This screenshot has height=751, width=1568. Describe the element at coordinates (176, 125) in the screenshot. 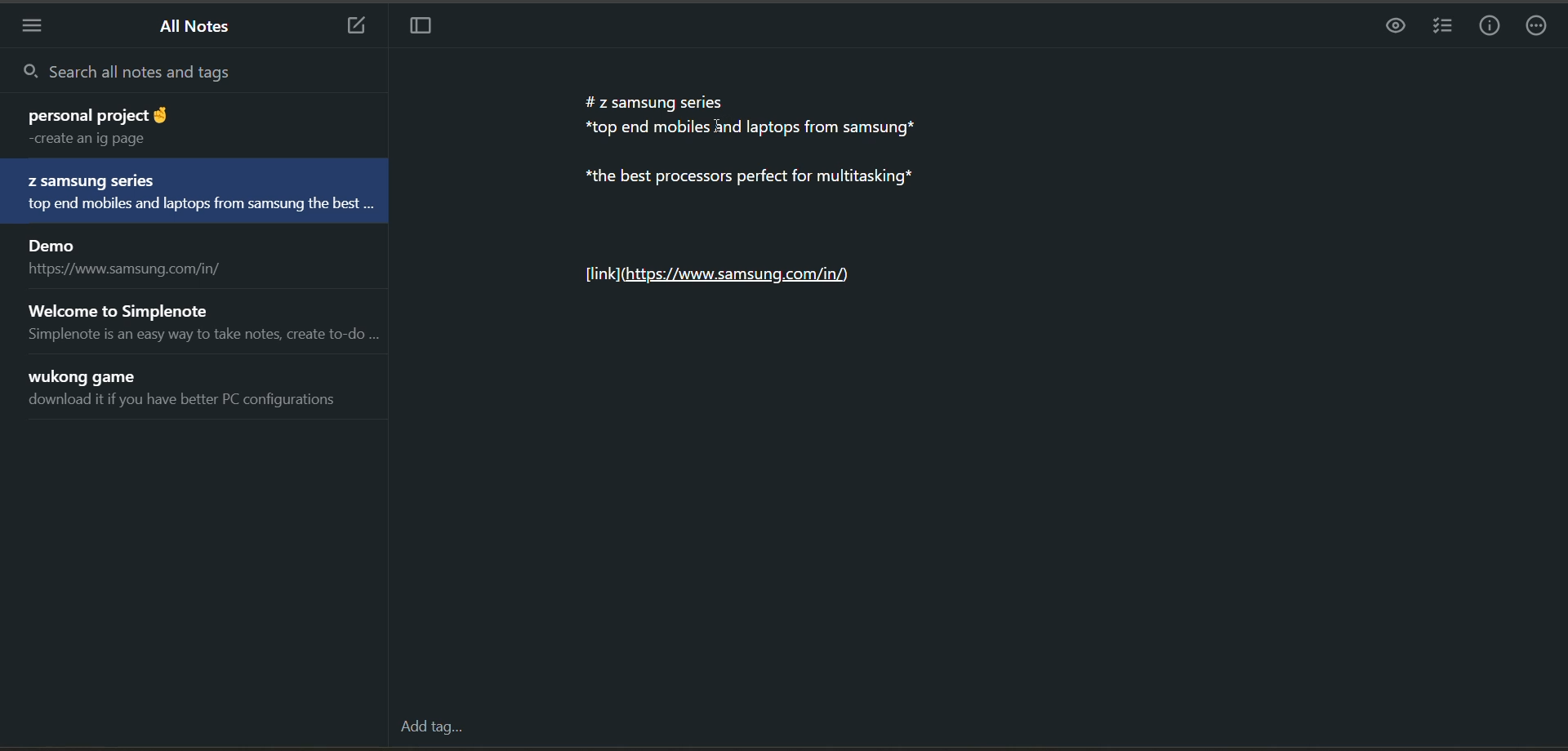

I see `note title and preview` at that location.